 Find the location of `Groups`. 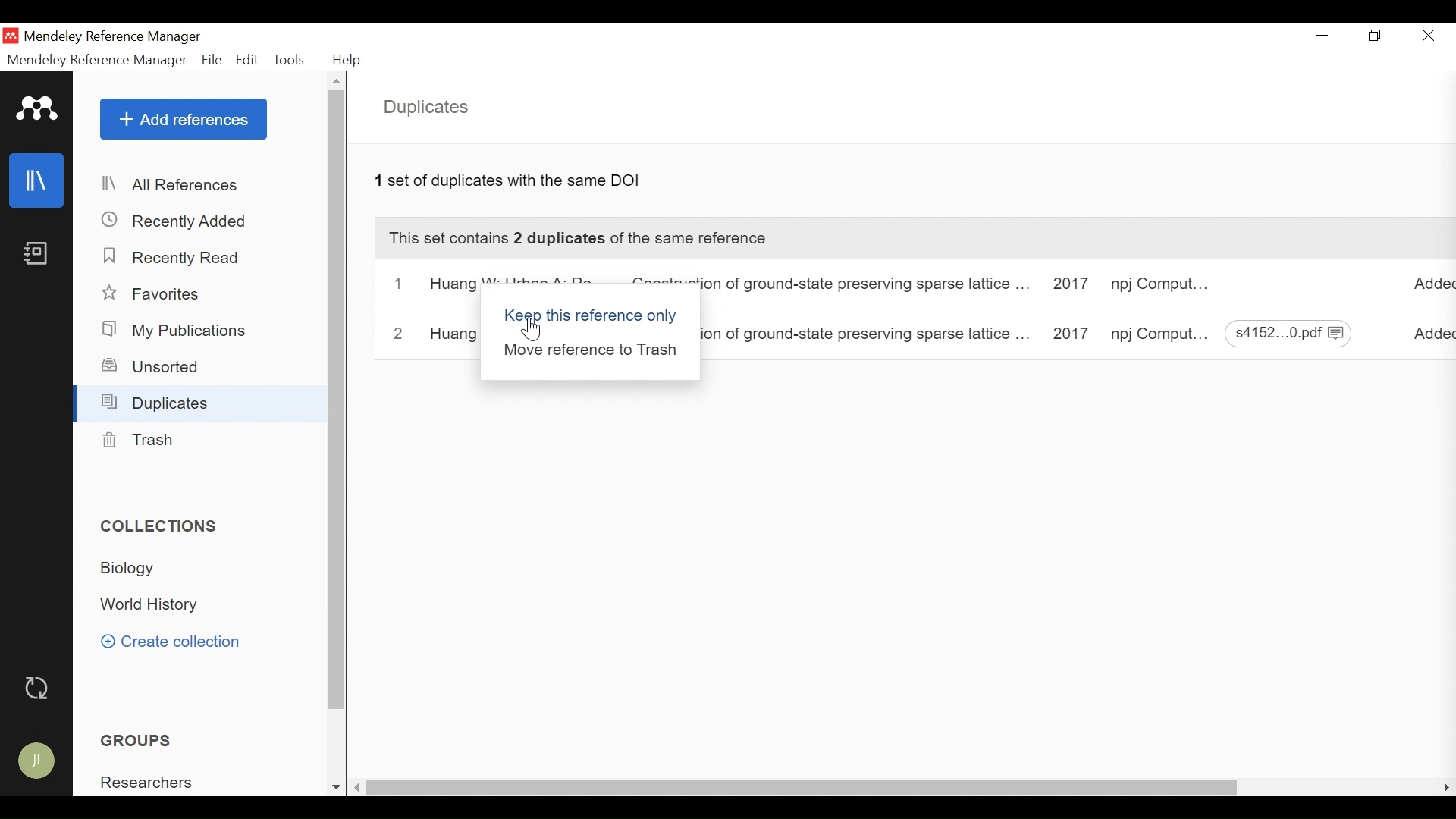

Groups is located at coordinates (139, 740).